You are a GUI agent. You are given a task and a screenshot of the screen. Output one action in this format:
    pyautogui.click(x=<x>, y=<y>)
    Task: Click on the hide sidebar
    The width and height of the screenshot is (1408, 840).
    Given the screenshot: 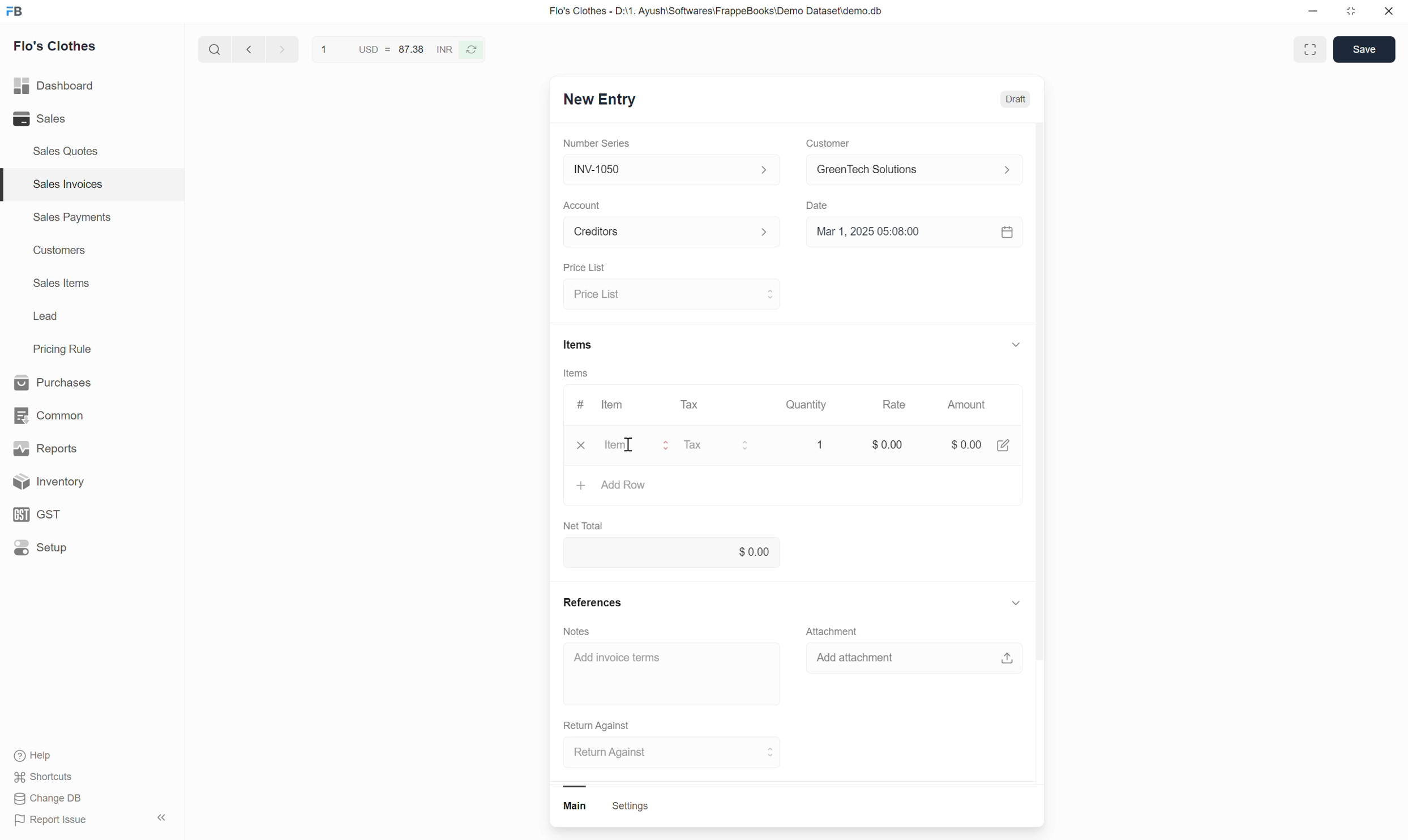 What is the action you would take?
    pyautogui.click(x=163, y=818)
    